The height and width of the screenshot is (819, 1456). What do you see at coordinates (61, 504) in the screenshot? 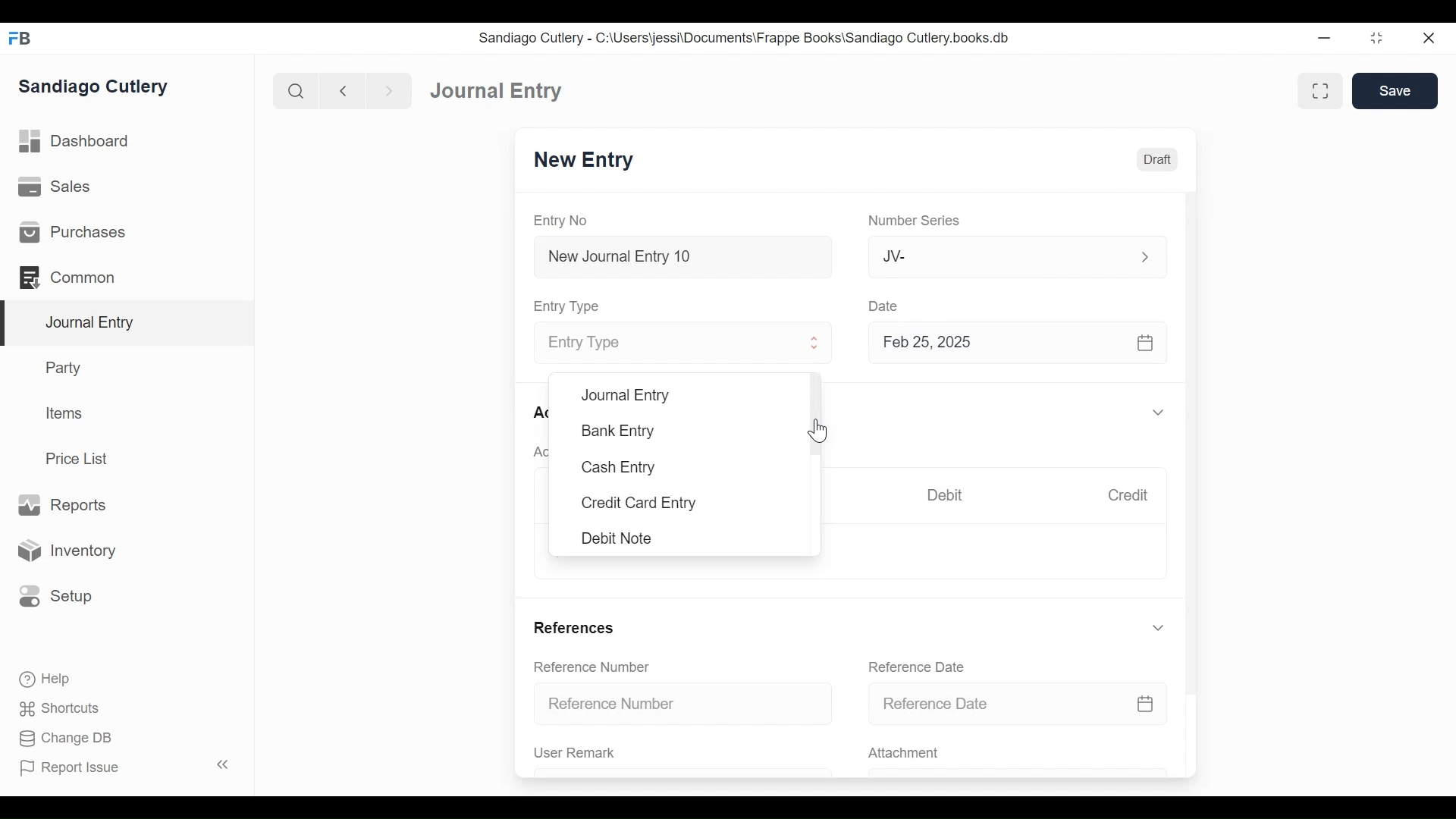
I see `Reports` at bounding box center [61, 504].